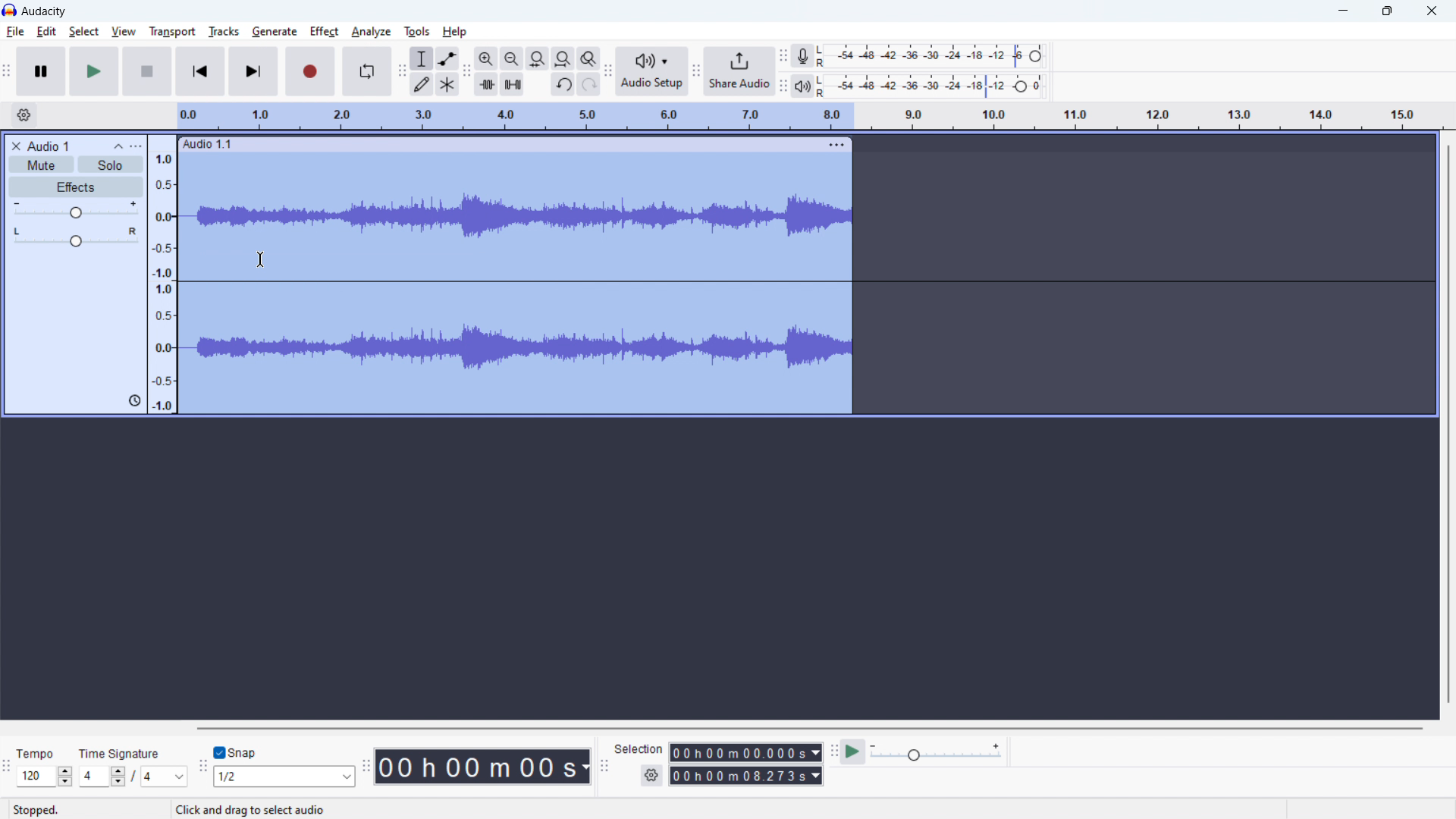  Describe the element at coordinates (783, 84) in the screenshot. I see `playback meter toolbar` at that location.